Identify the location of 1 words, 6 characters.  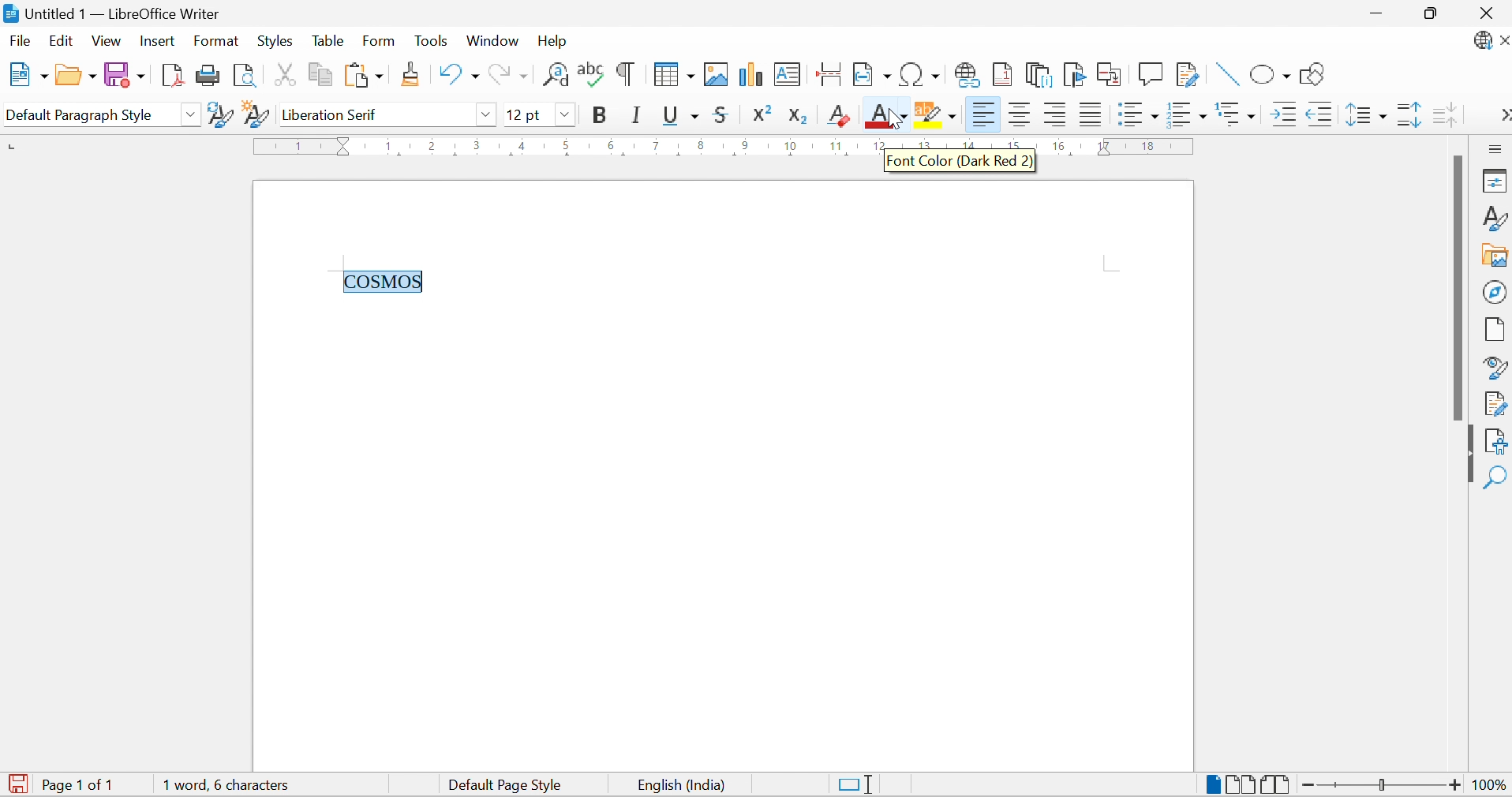
(231, 784).